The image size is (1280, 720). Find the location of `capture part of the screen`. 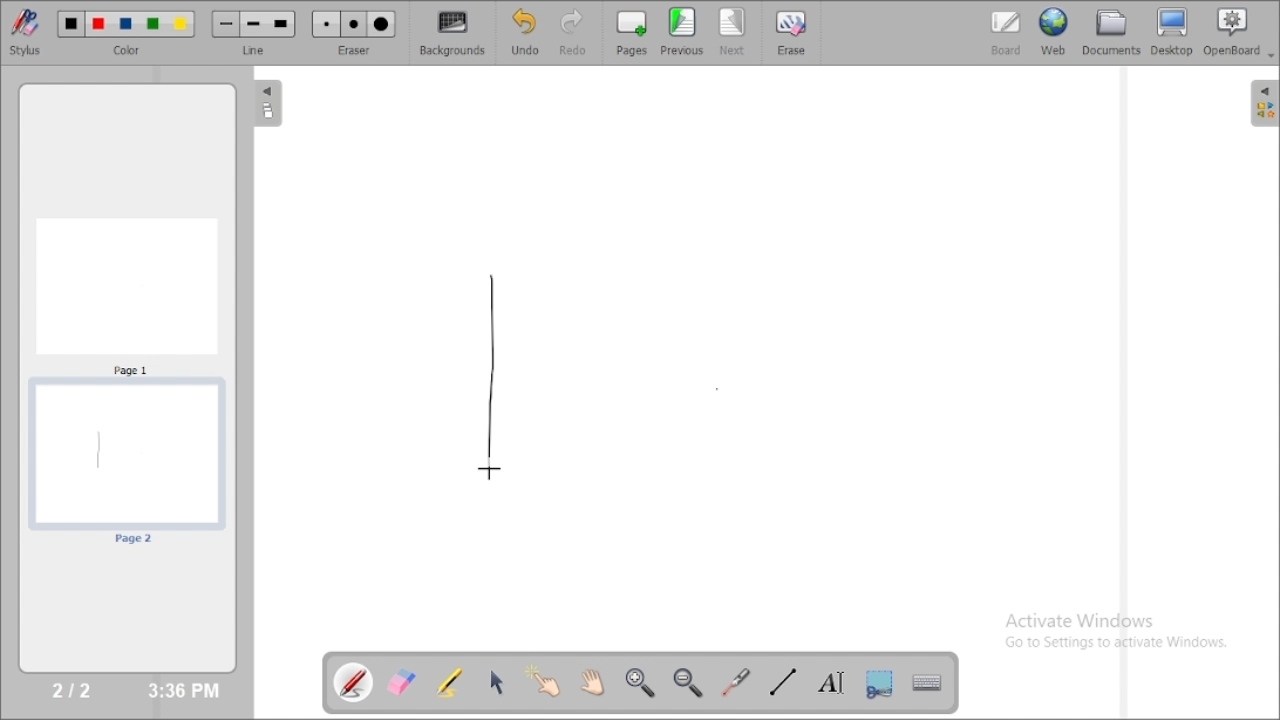

capture part of the screen is located at coordinates (879, 683).